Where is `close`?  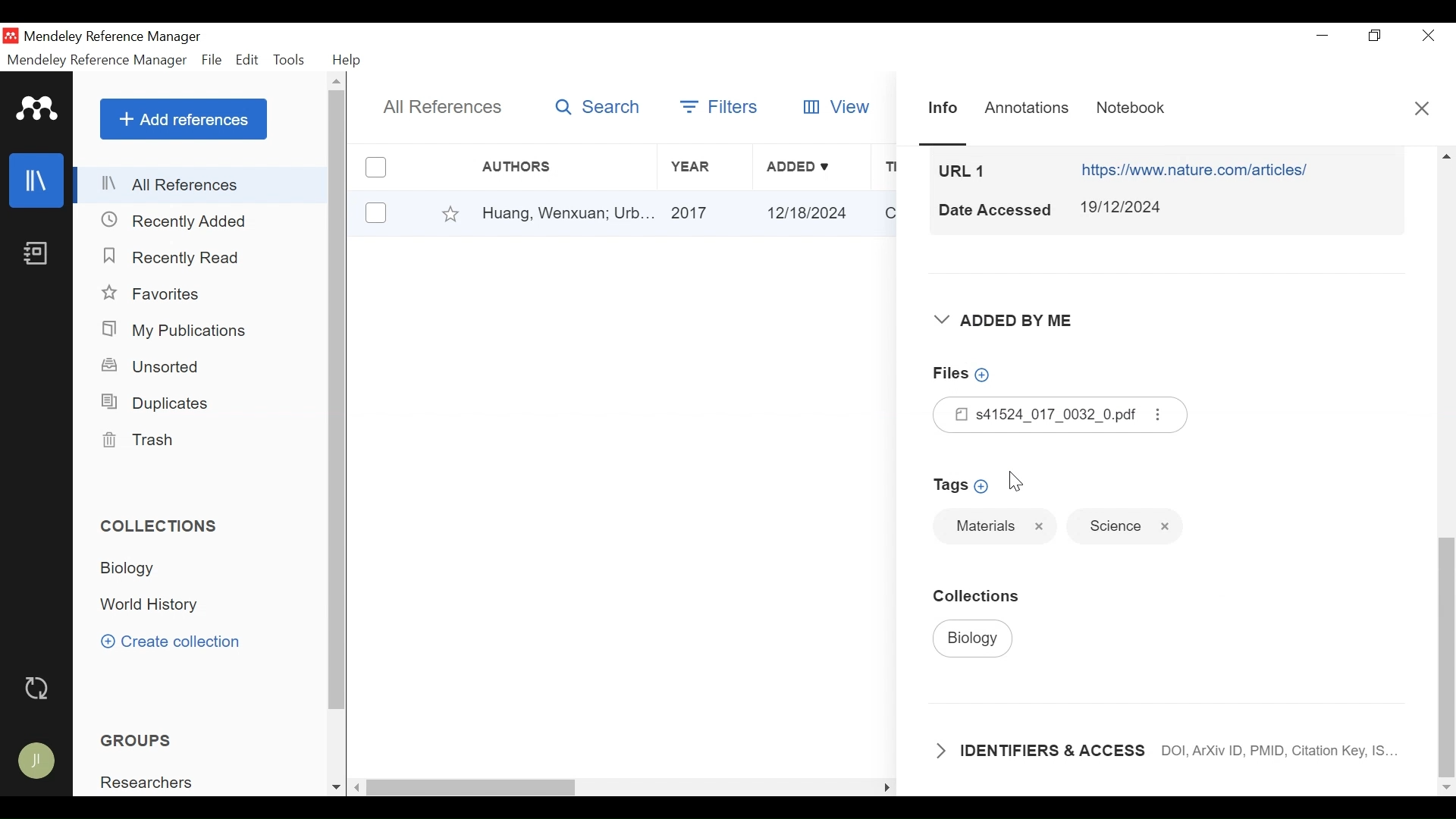
close is located at coordinates (1166, 528).